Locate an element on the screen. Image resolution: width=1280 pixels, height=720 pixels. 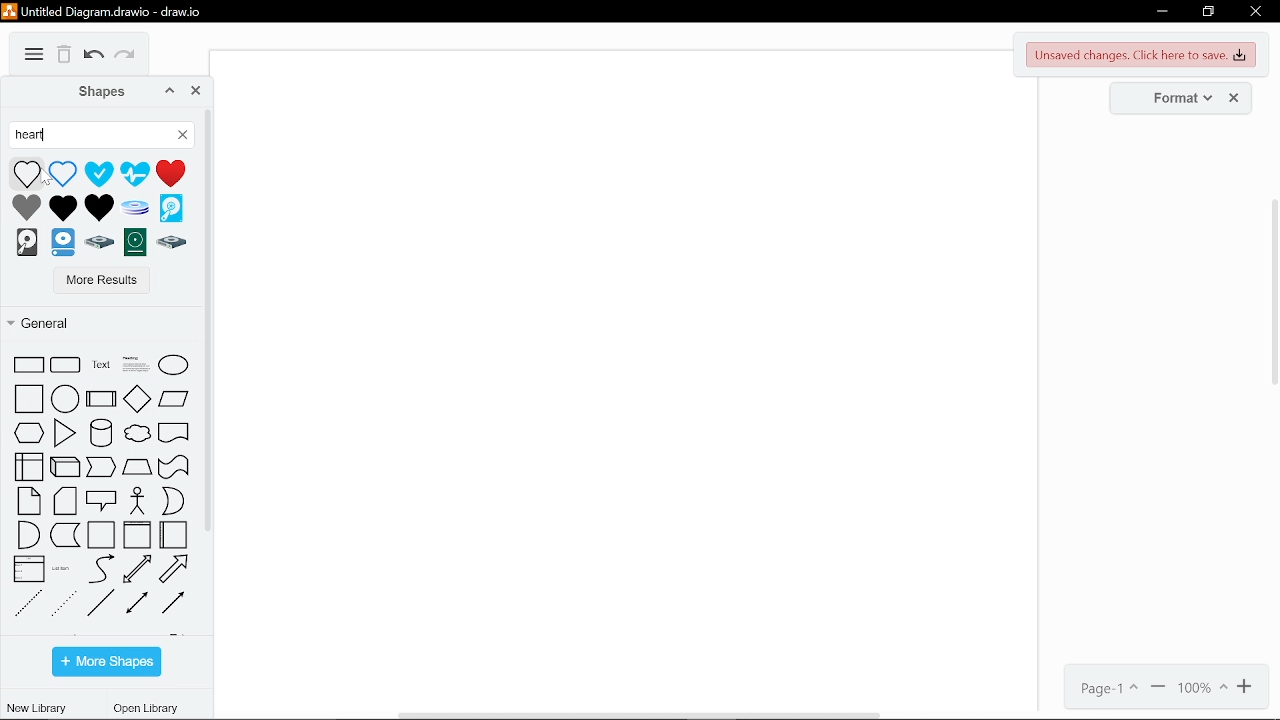
Untitled Diagram.drawio - draw.io is located at coordinates (106, 10).